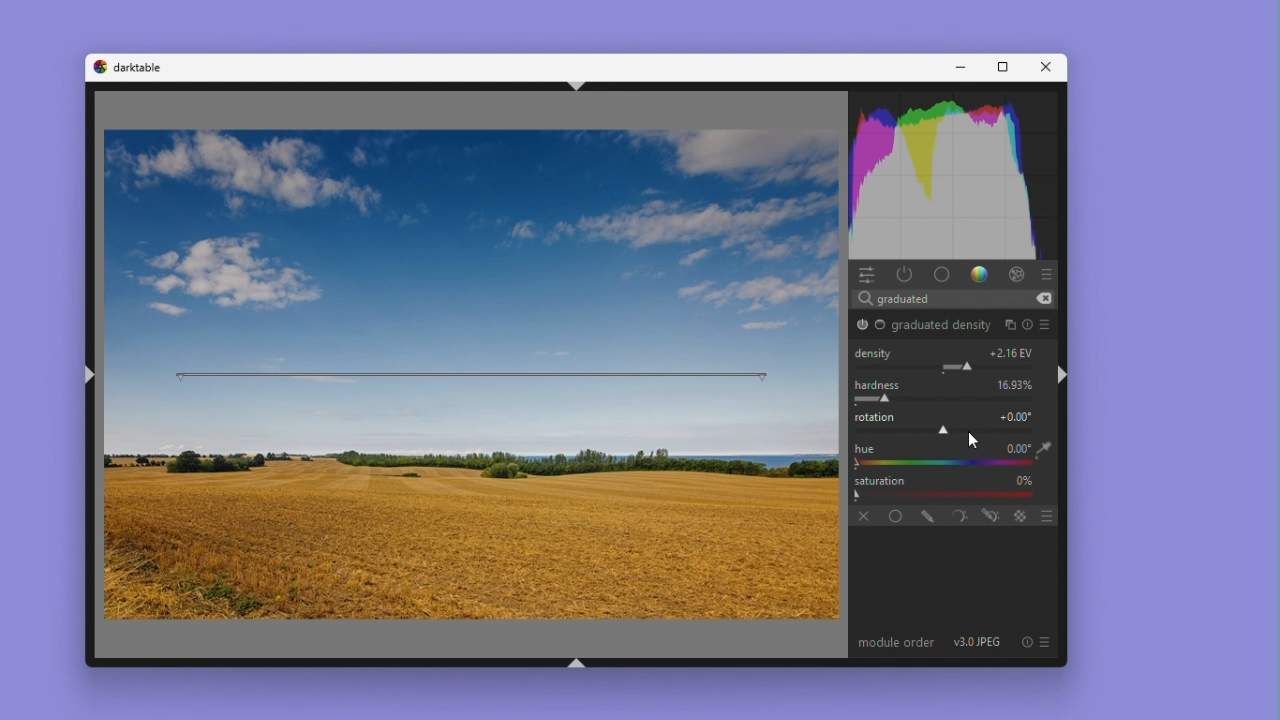 The width and height of the screenshot is (1280, 720). I want to click on drawn and parametric mask, so click(988, 515).